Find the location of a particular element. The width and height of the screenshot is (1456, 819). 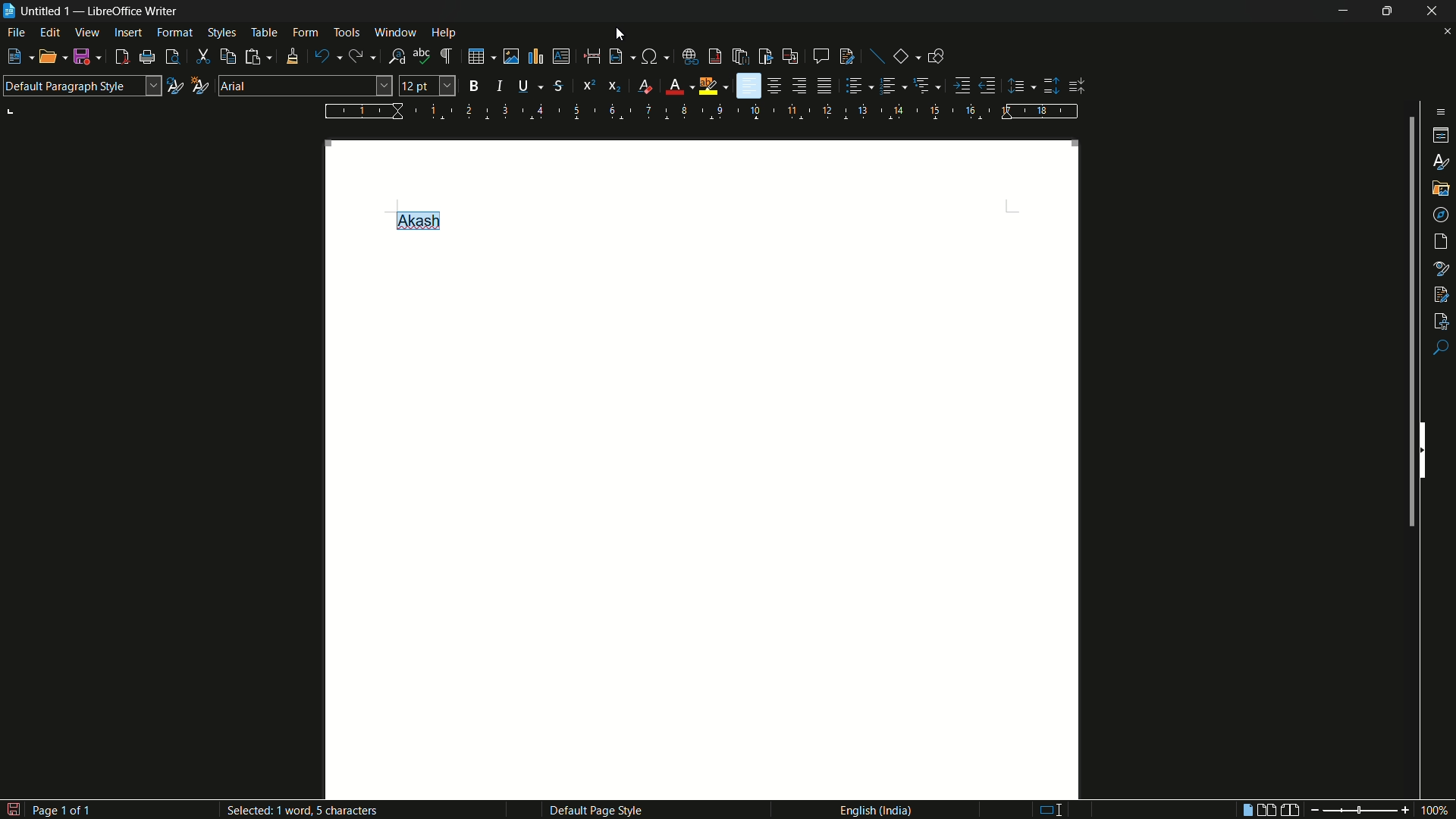

insert table is located at coordinates (476, 56).